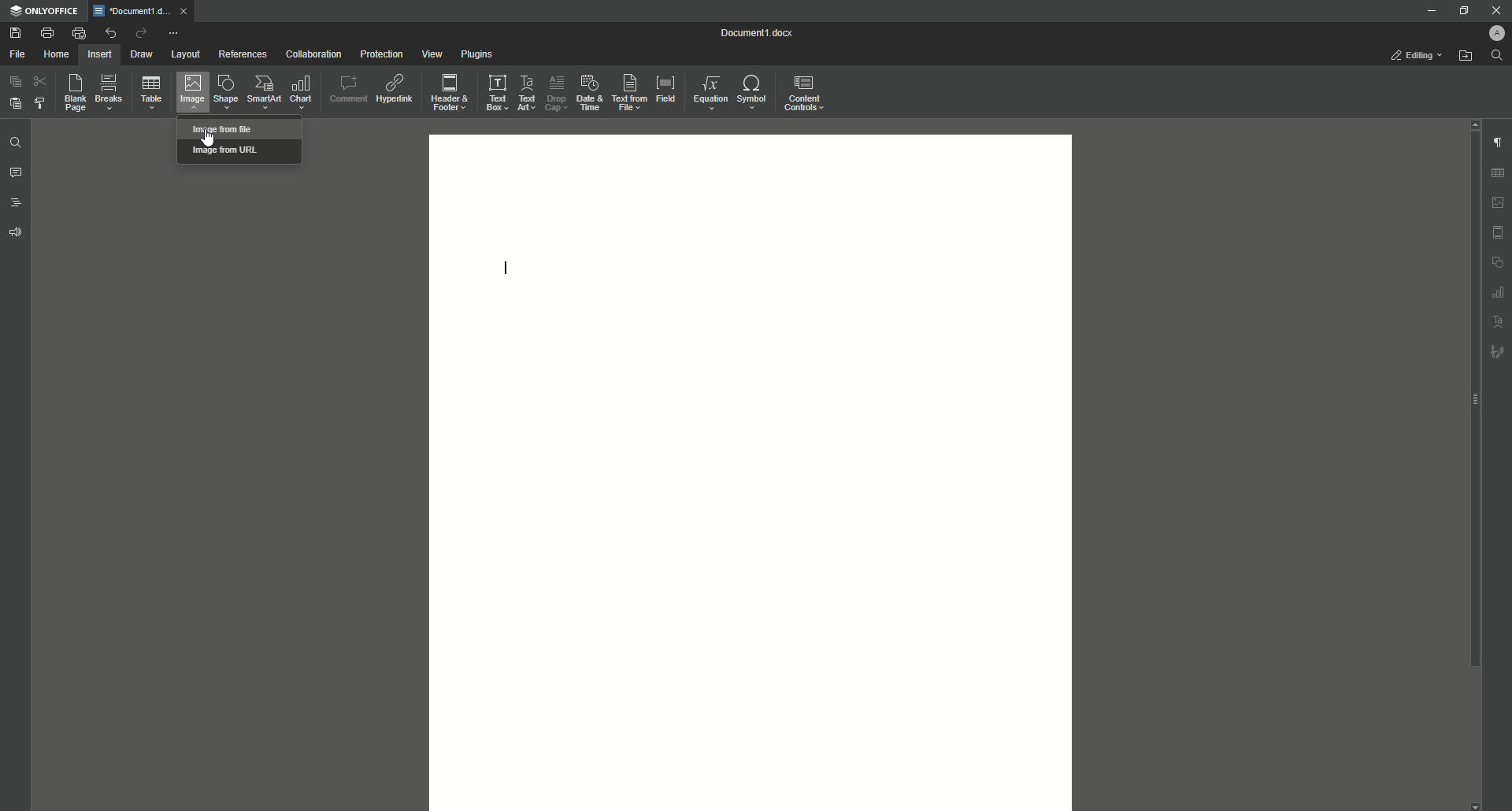 The height and width of the screenshot is (811, 1512). Describe the element at coordinates (805, 92) in the screenshot. I see `Content Controls` at that location.